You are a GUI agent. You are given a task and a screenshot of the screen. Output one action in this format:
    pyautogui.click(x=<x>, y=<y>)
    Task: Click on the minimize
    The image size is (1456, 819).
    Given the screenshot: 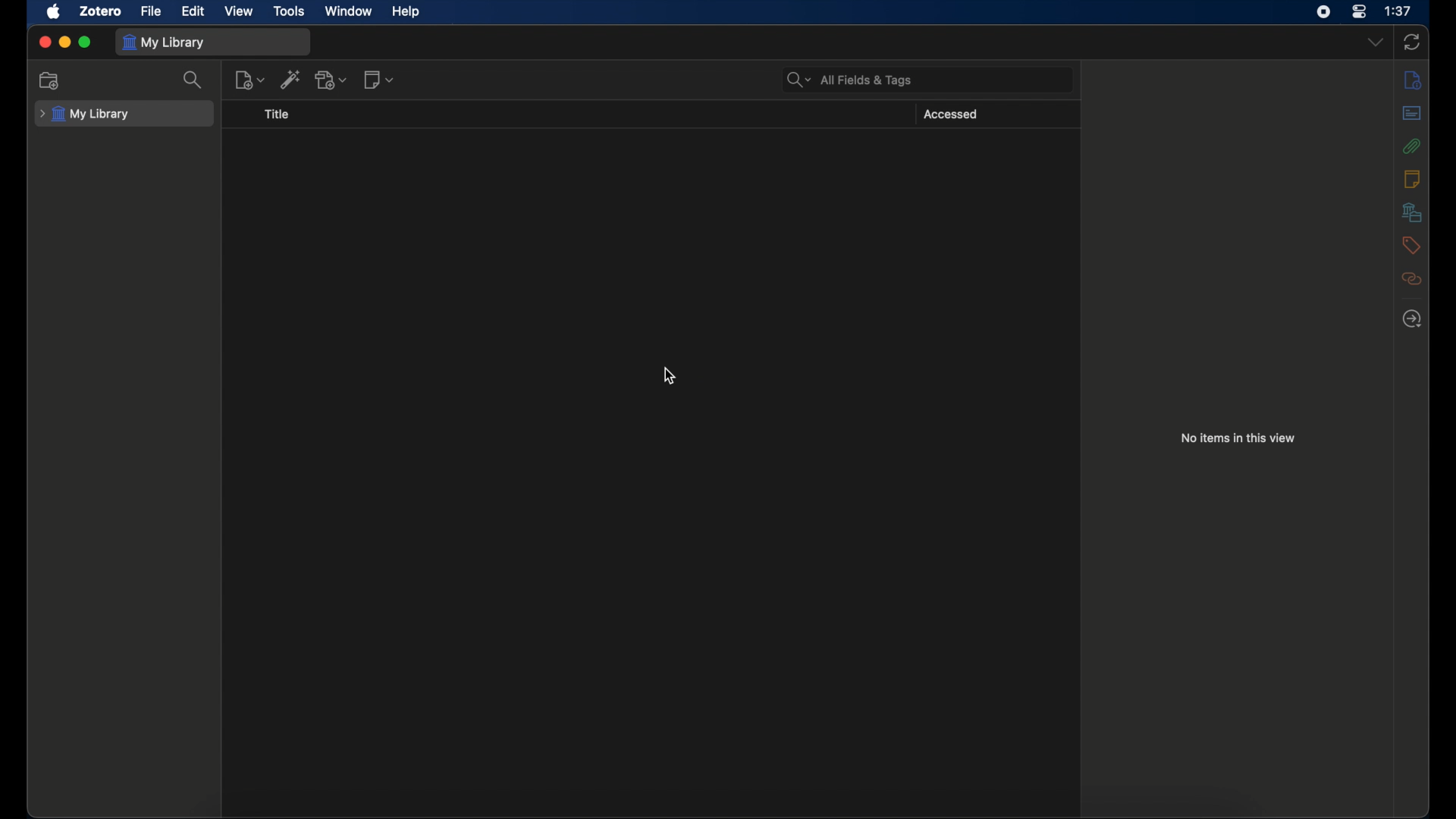 What is the action you would take?
    pyautogui.click(x=64, y=41)
    